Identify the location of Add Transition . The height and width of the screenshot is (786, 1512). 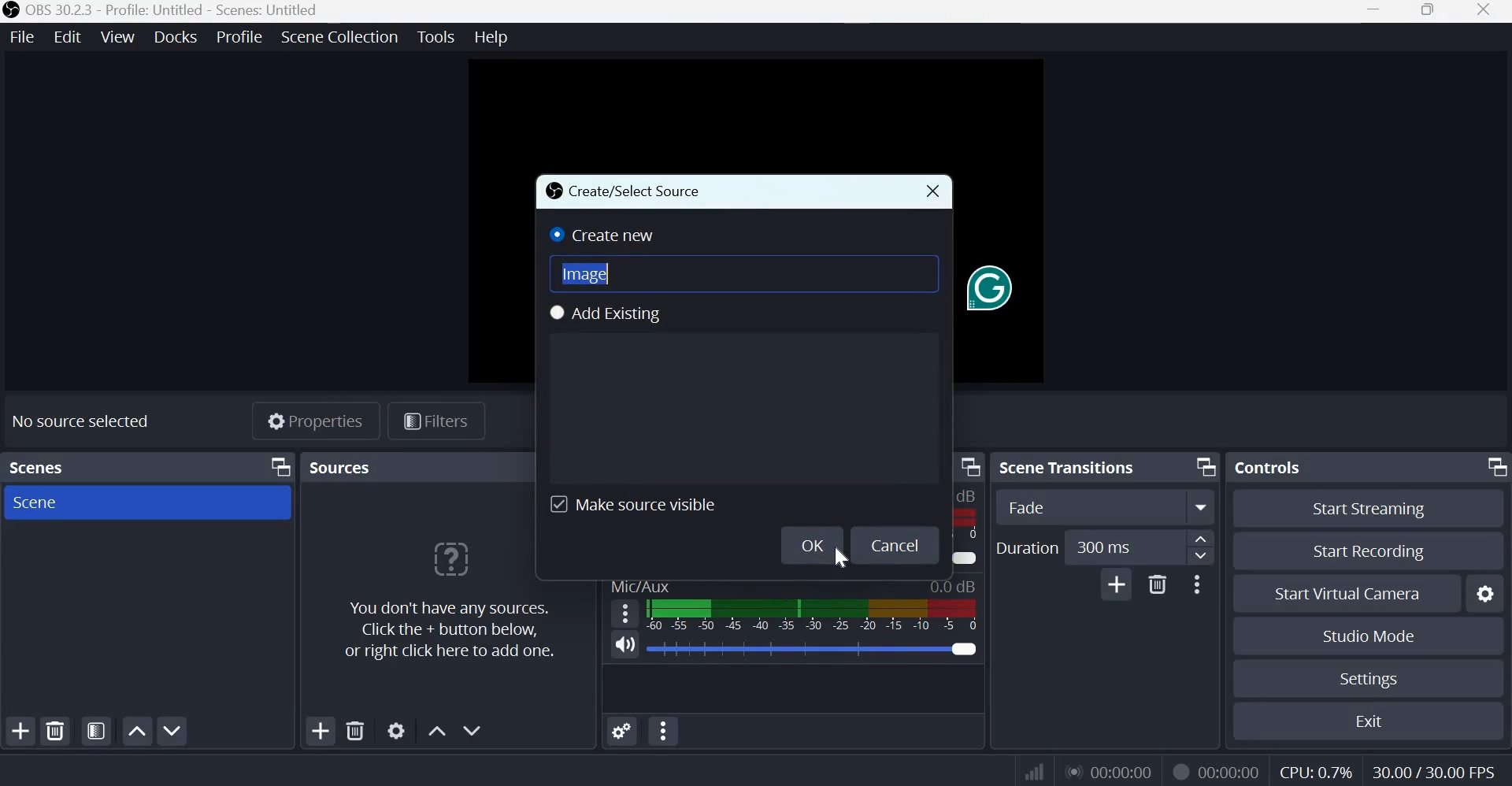
(1117, 584).